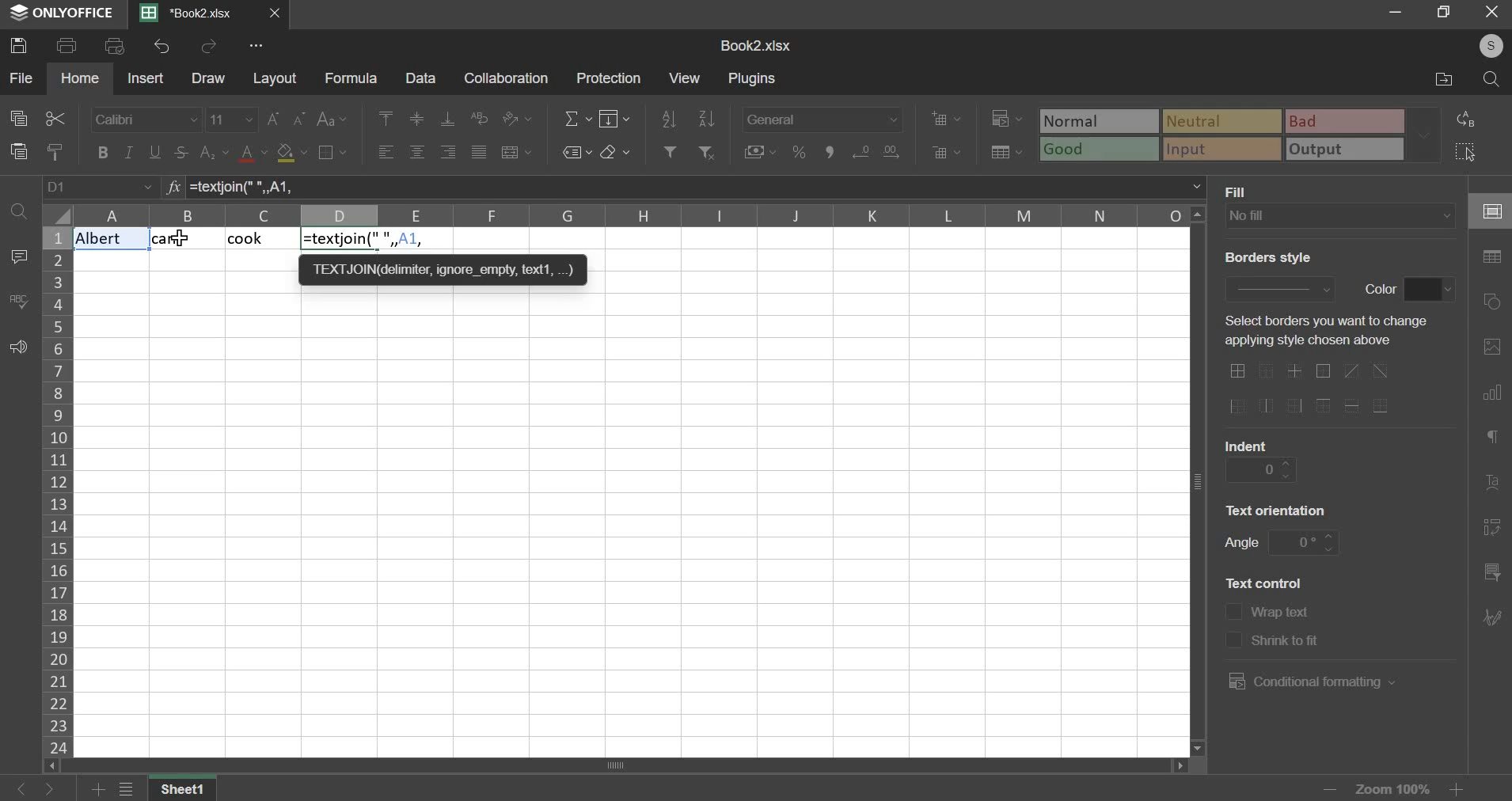  What do you see at coordinates (754, 79) in the screenshot?
I see `plugins` at bounding box center [754, 79].